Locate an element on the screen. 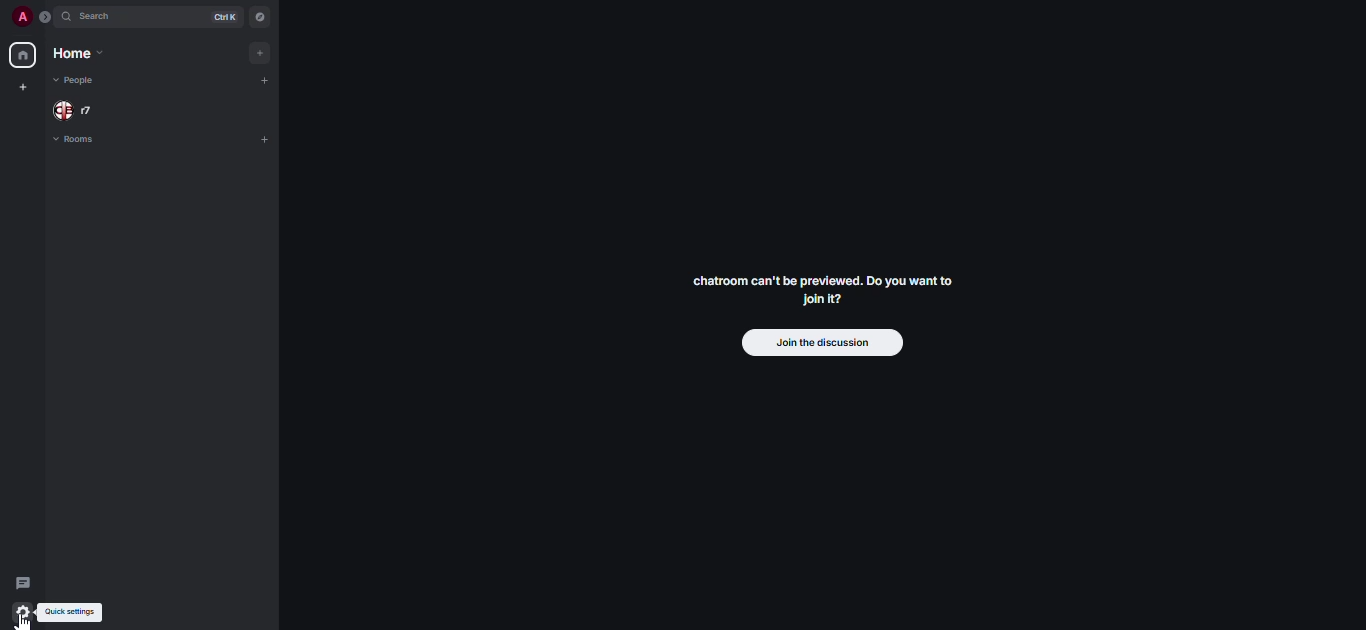  join the discussion is located at coordinates (821, 342).